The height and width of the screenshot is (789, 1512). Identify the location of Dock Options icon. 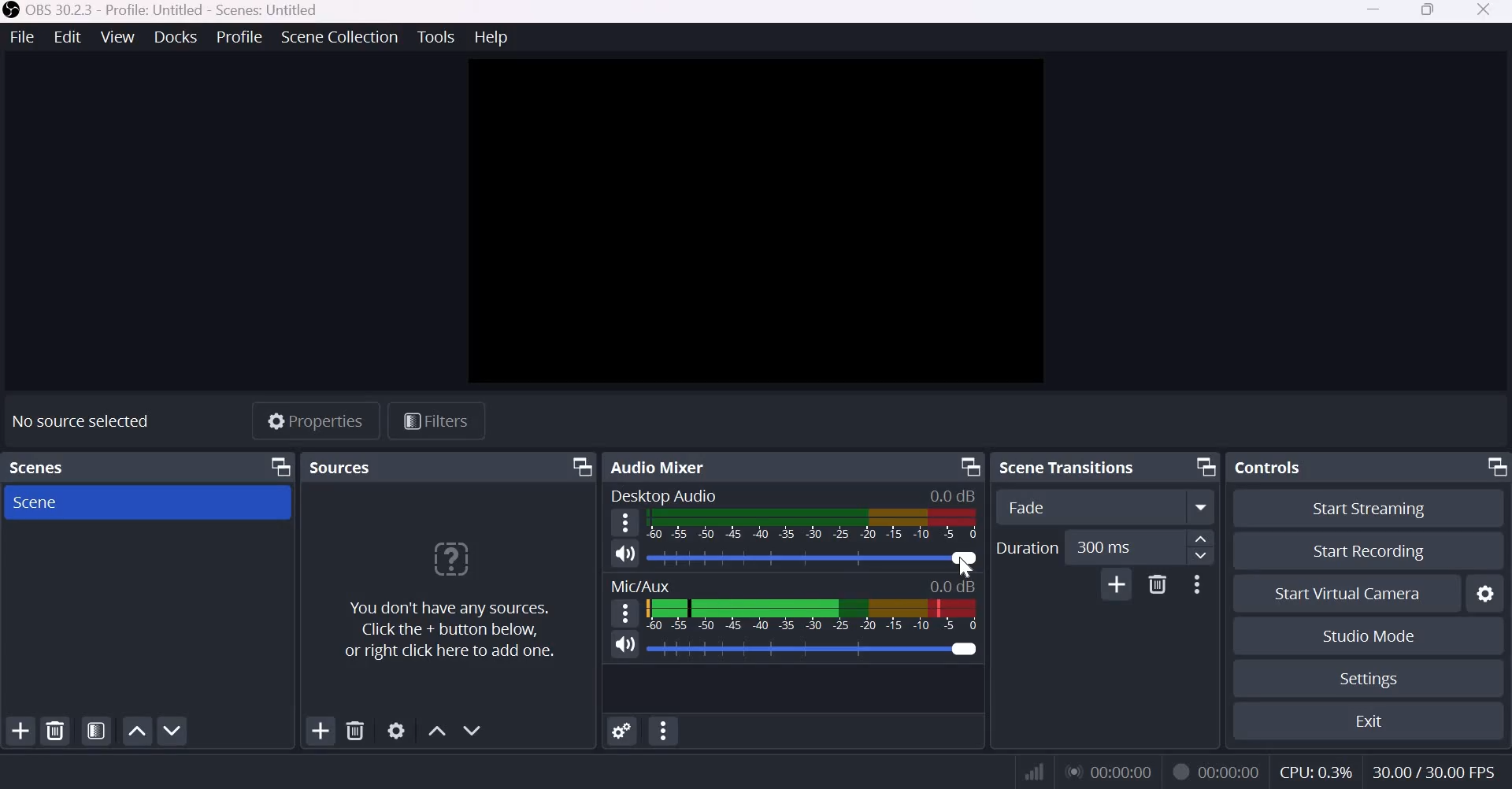
(1492, 468).